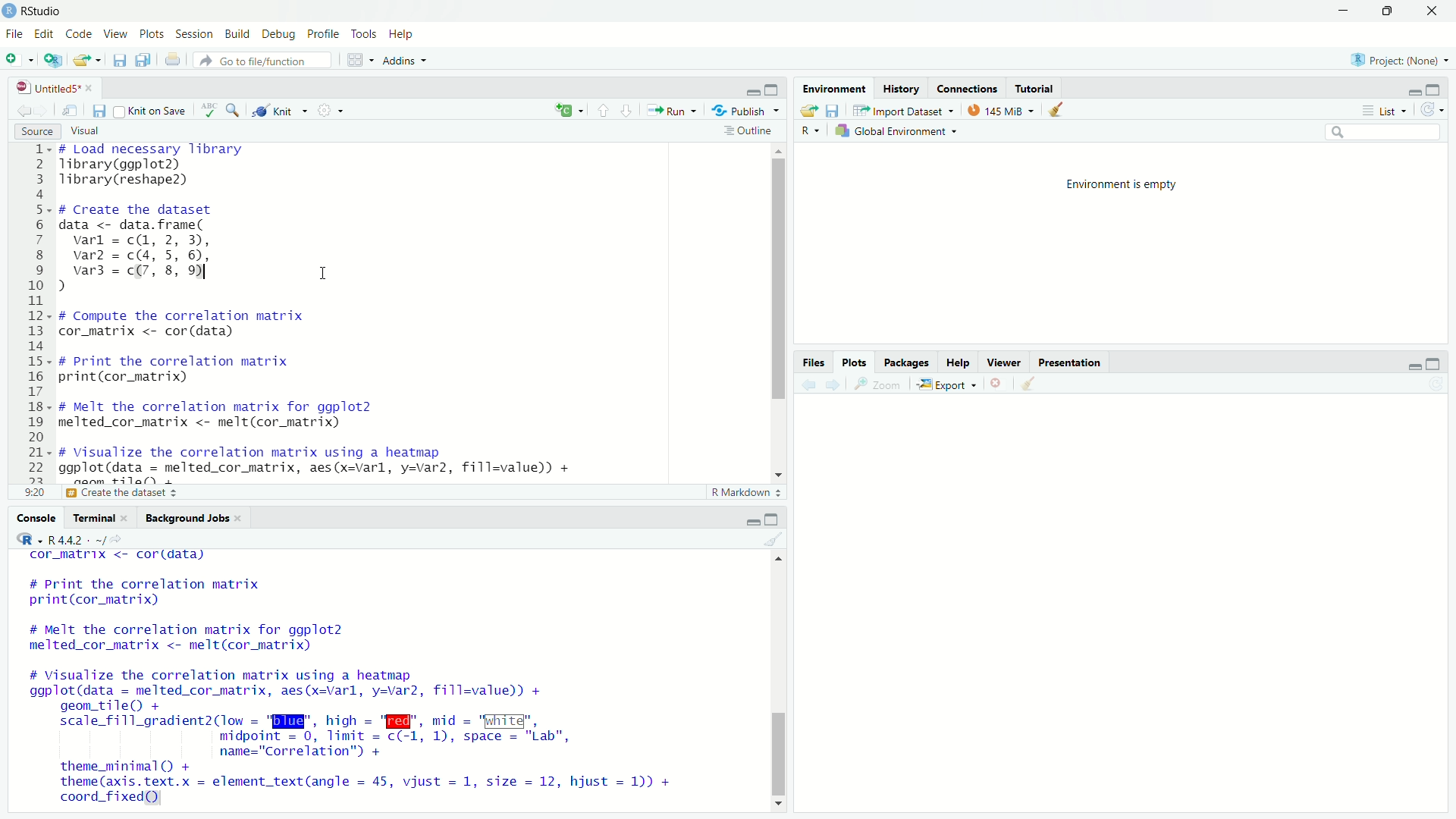  I want to click on refresh, so click(1433, 111).